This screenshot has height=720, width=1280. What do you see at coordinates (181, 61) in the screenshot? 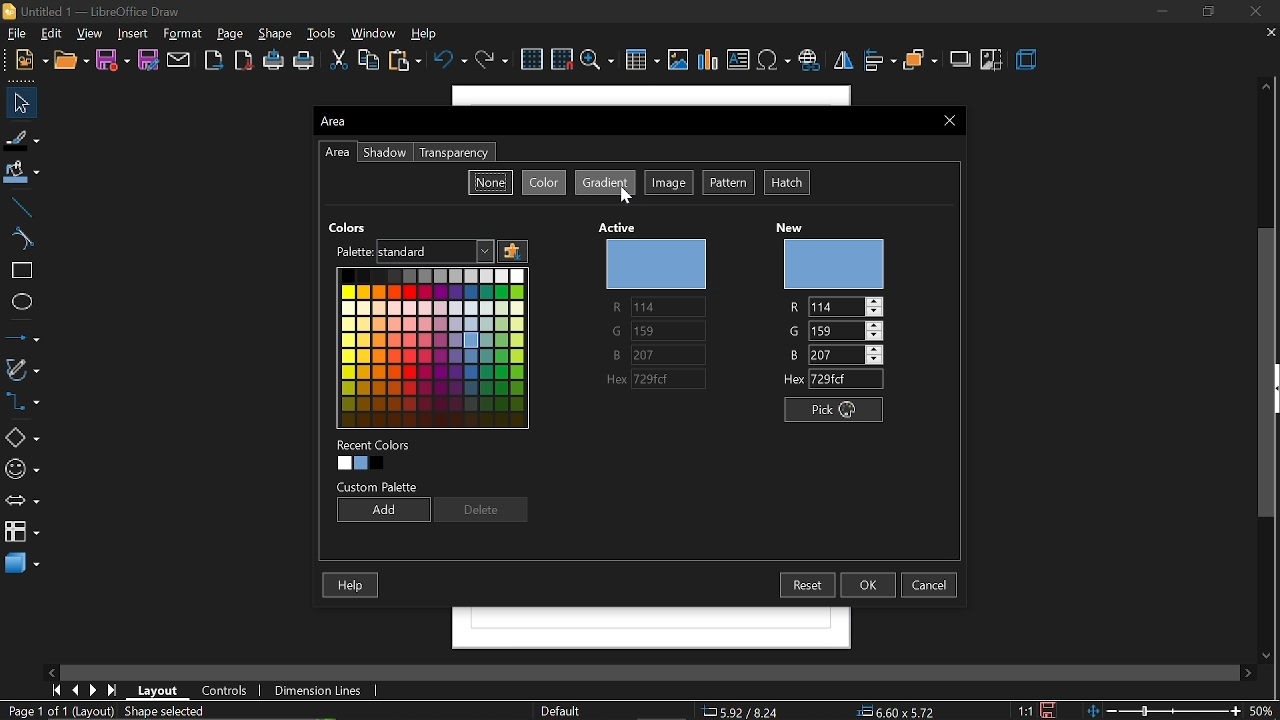
I see `attach` at bounding box center [181, 61].